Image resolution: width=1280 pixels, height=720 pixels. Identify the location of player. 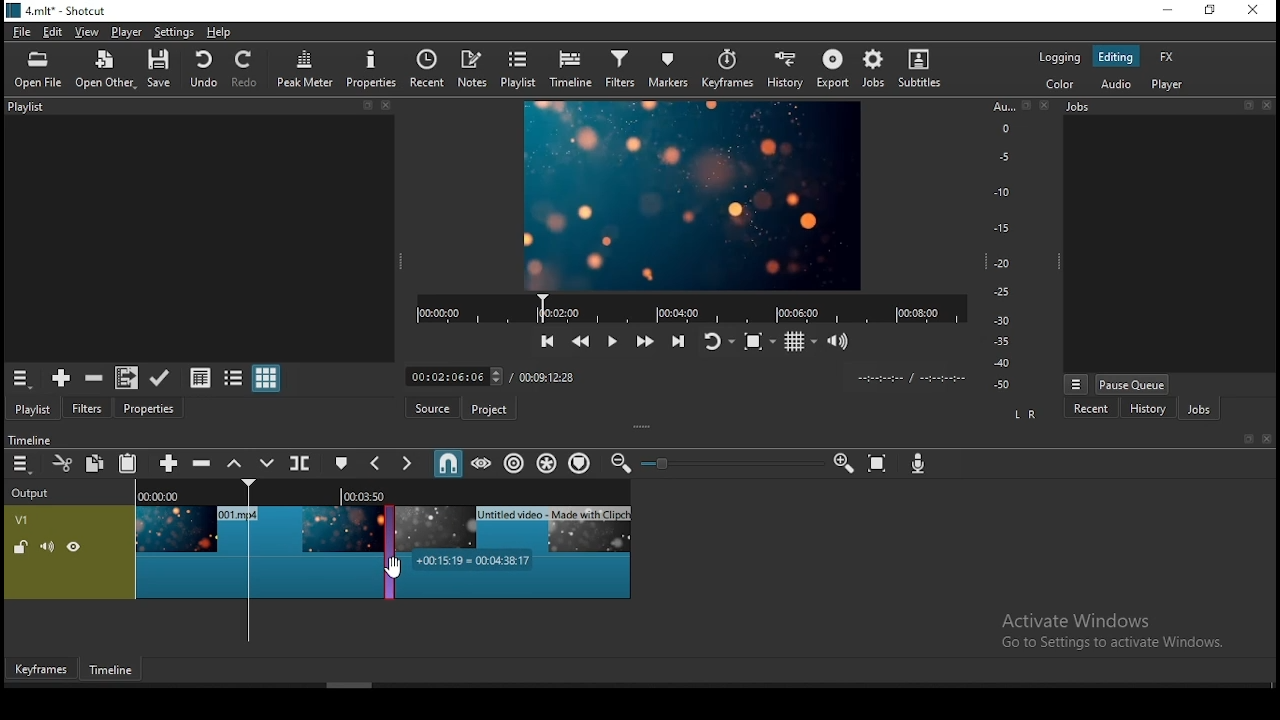
(1167, 86).